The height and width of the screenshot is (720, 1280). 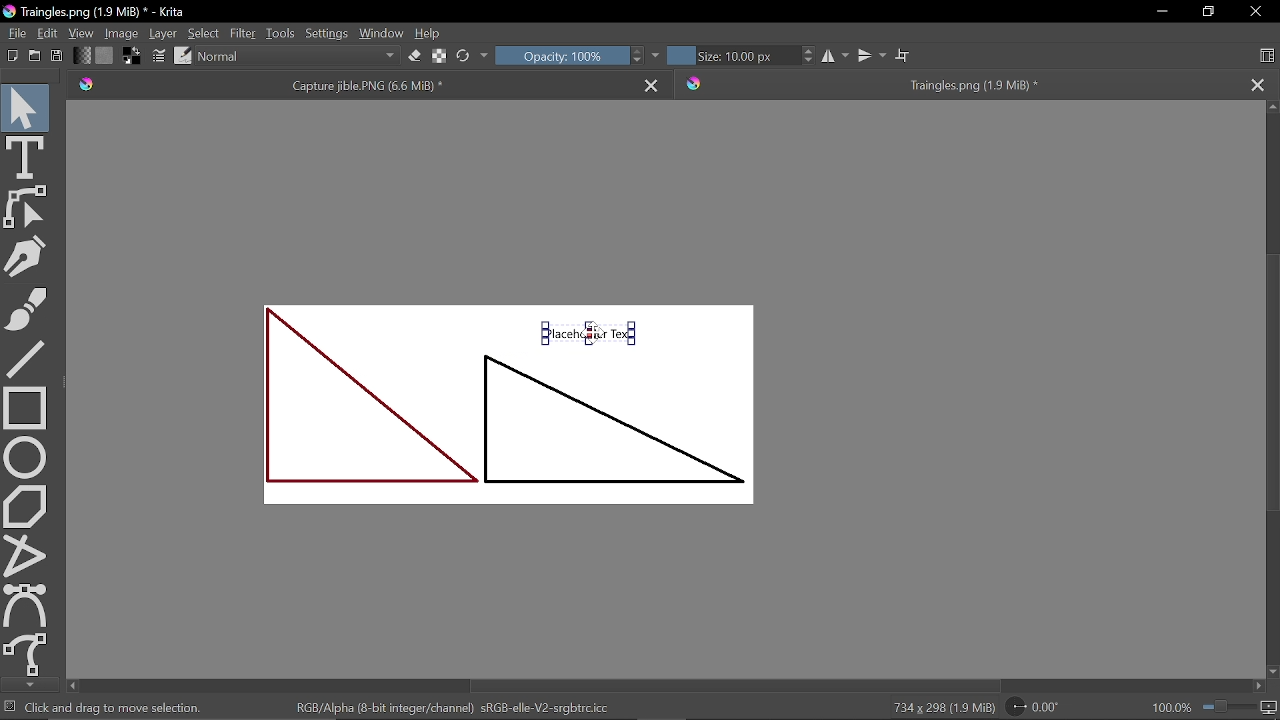 What do you see at coordinates (904, 53) in the screenshot?
I see `Wrap around mode` at bounding box center [904, 53].